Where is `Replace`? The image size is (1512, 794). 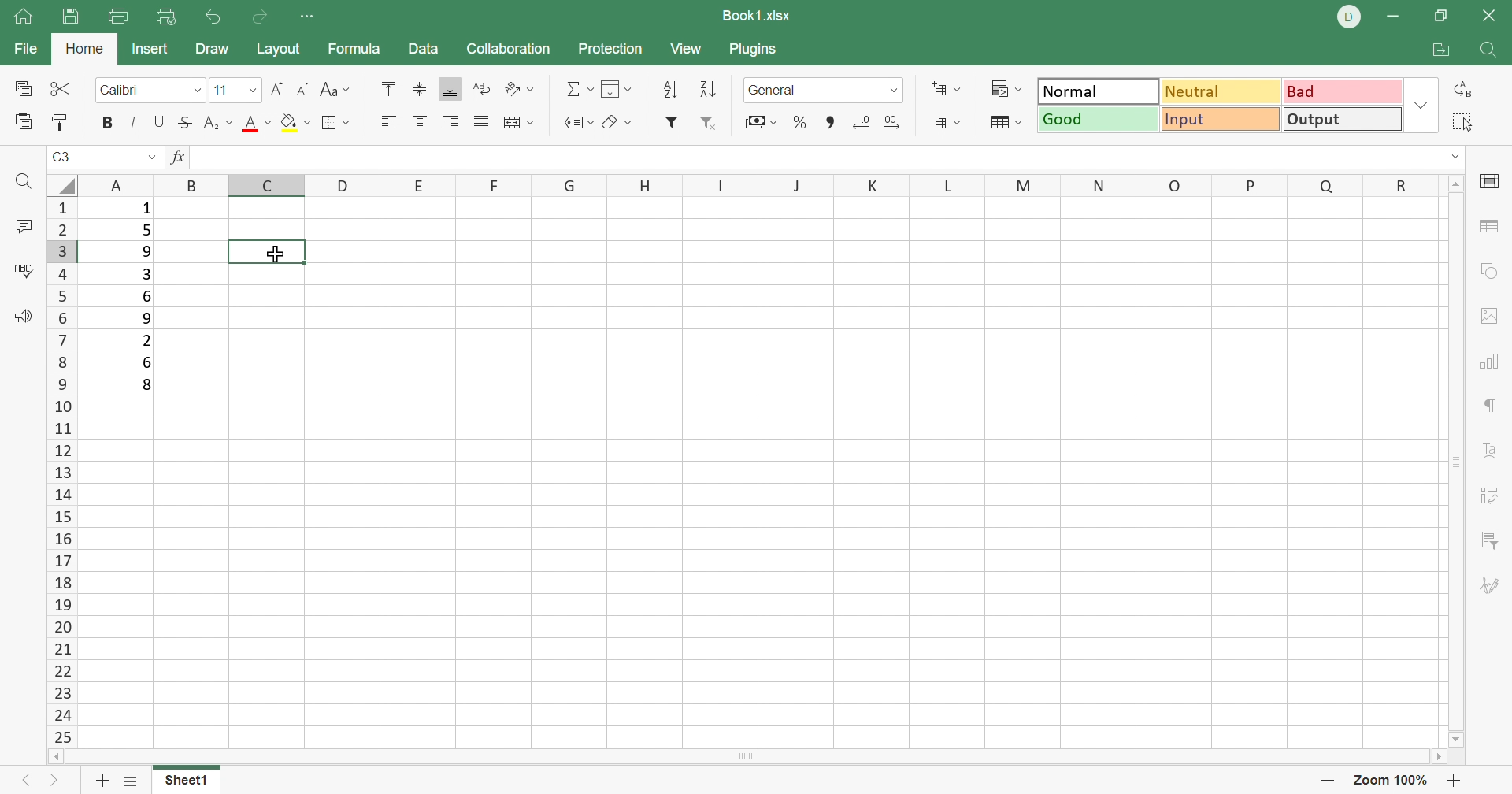
Replace is located at coordinates (1463, 87).